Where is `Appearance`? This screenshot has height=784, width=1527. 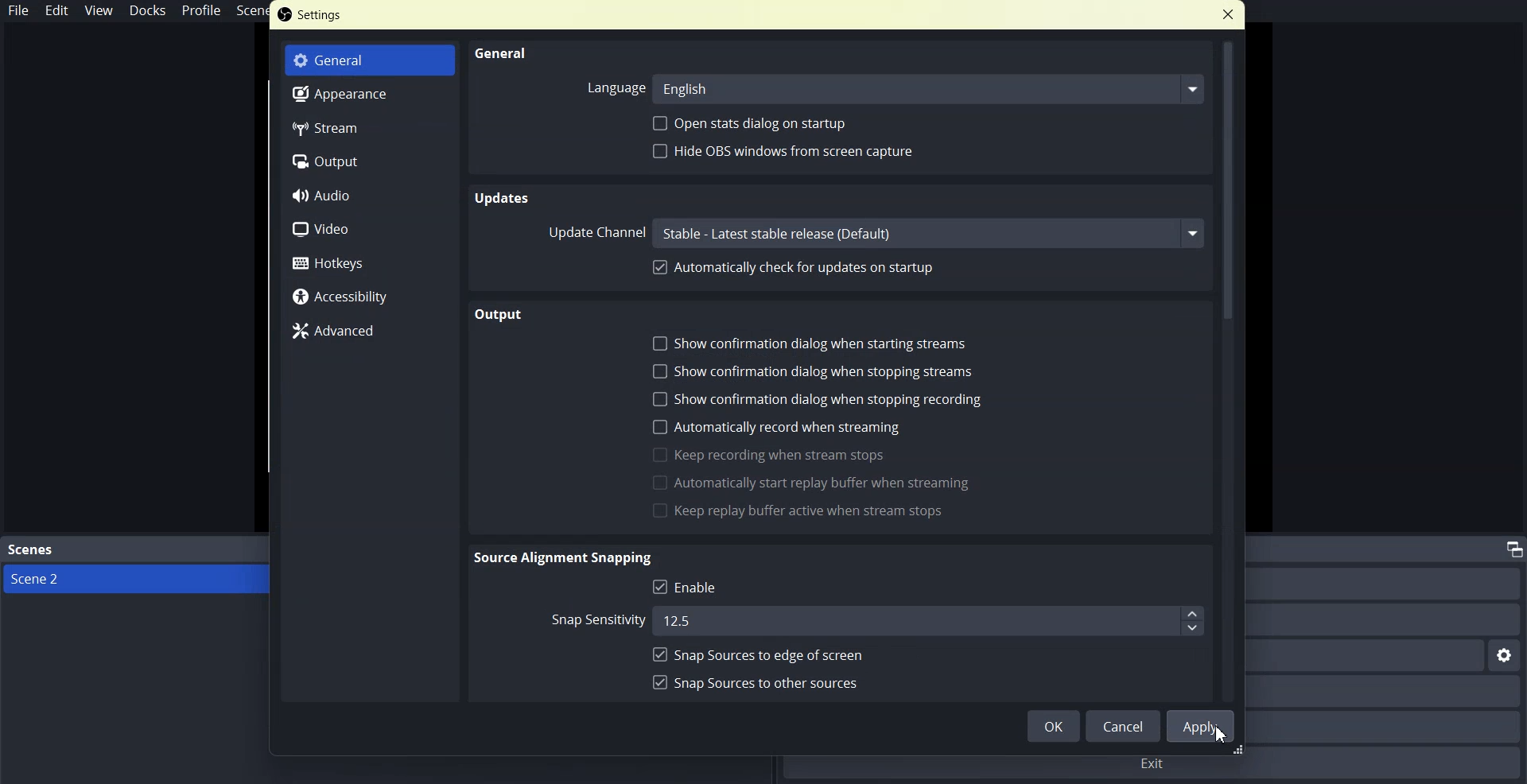 Appearance is located at coordinates (371, 95).